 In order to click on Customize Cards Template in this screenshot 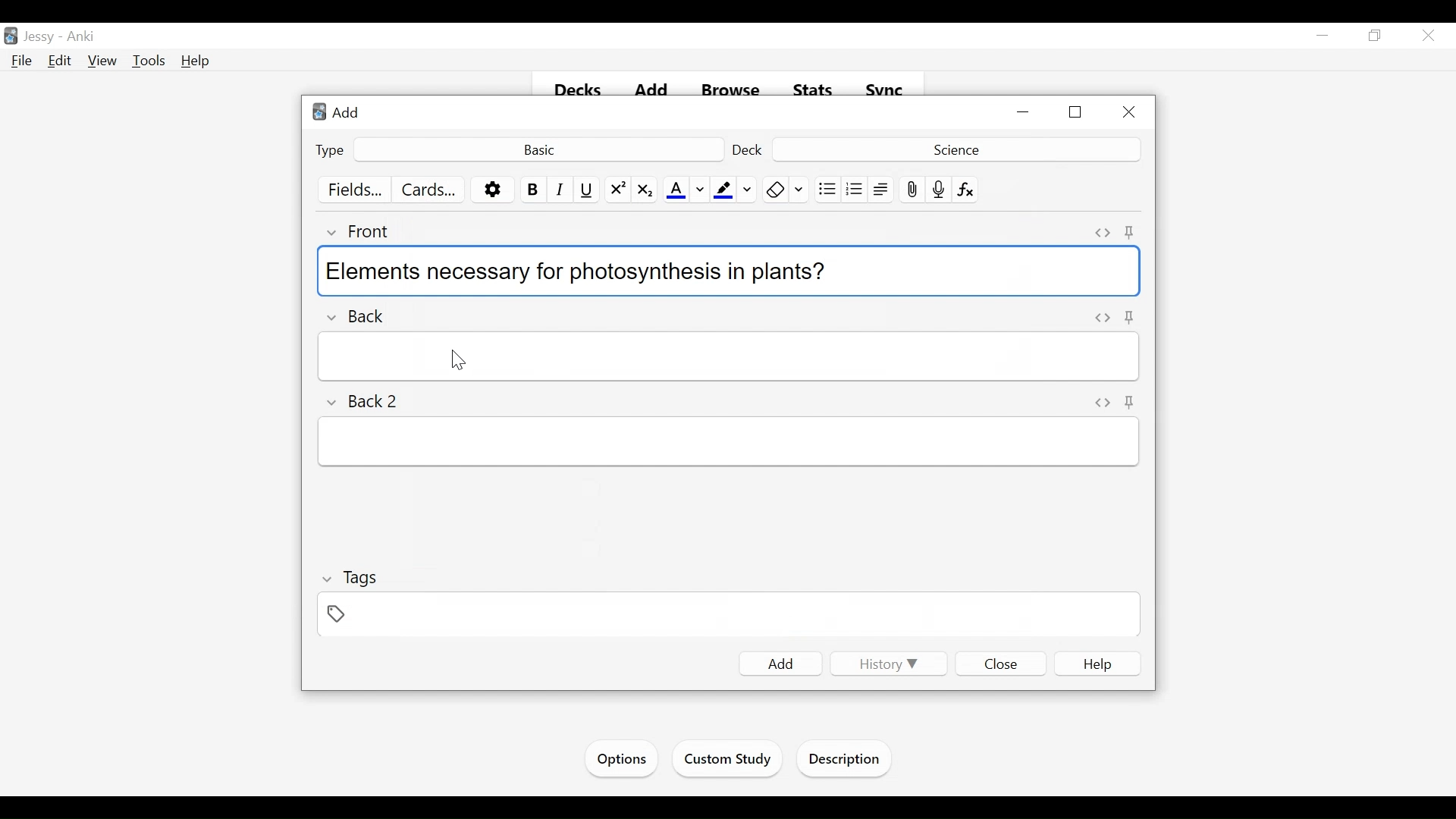, I will do `click(429, 190)`.